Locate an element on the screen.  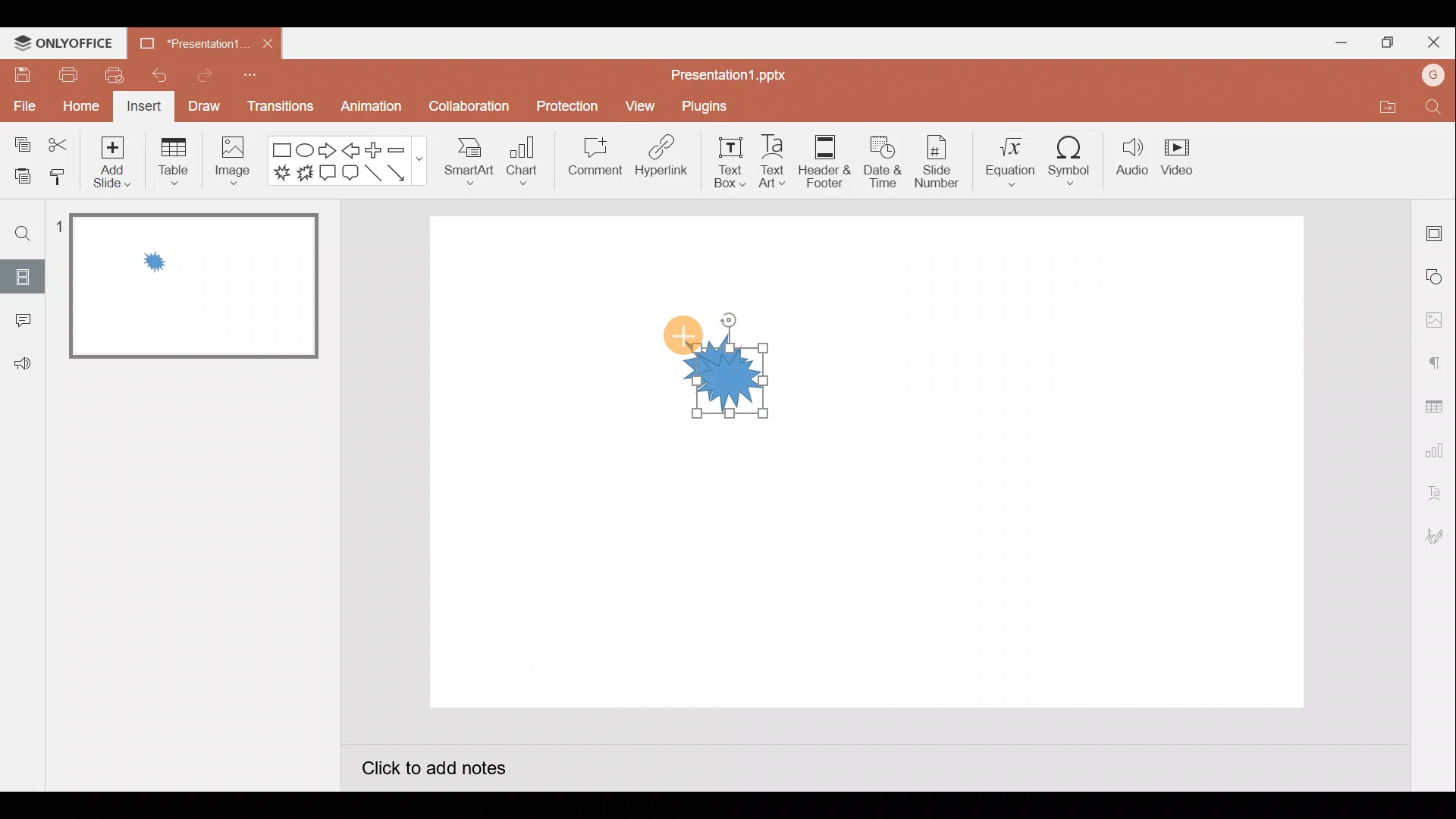
Comment is located at coordinates (592, 162).